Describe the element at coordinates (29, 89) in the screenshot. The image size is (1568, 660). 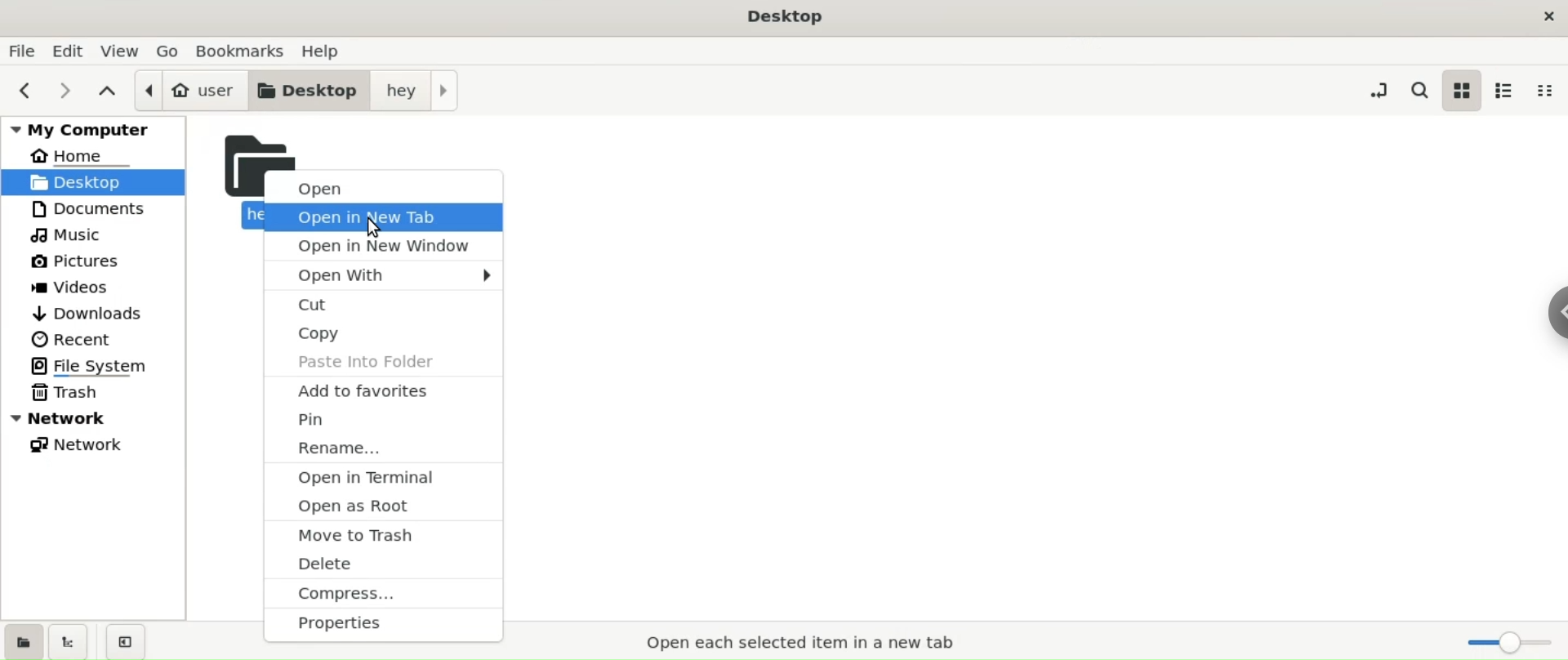
I see `previous` at that location.